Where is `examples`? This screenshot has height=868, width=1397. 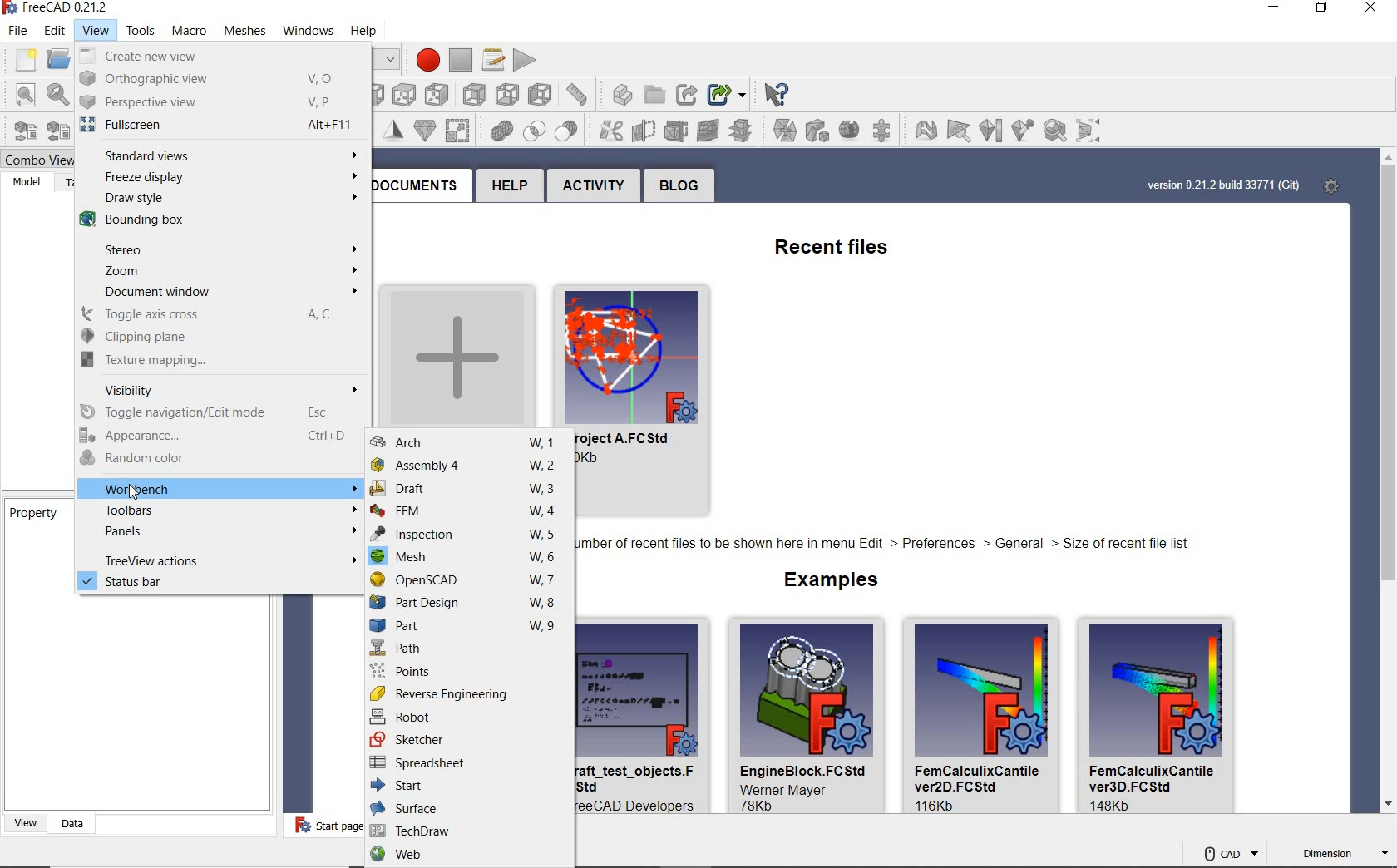
examples is located at coordinates (824, 582).